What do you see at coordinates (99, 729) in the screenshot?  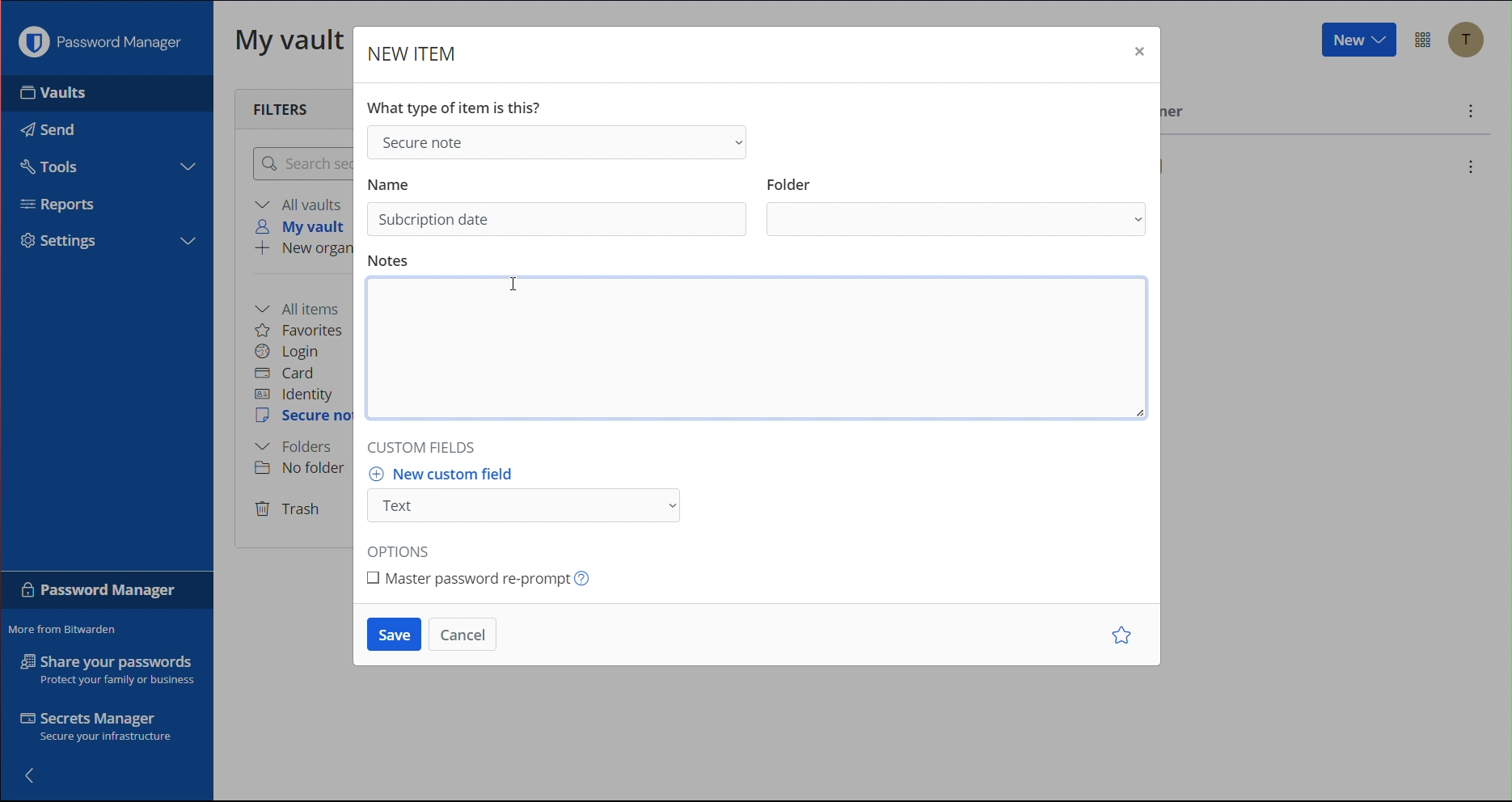 I see `Secrets Manager` at bounding box center [99, 729].